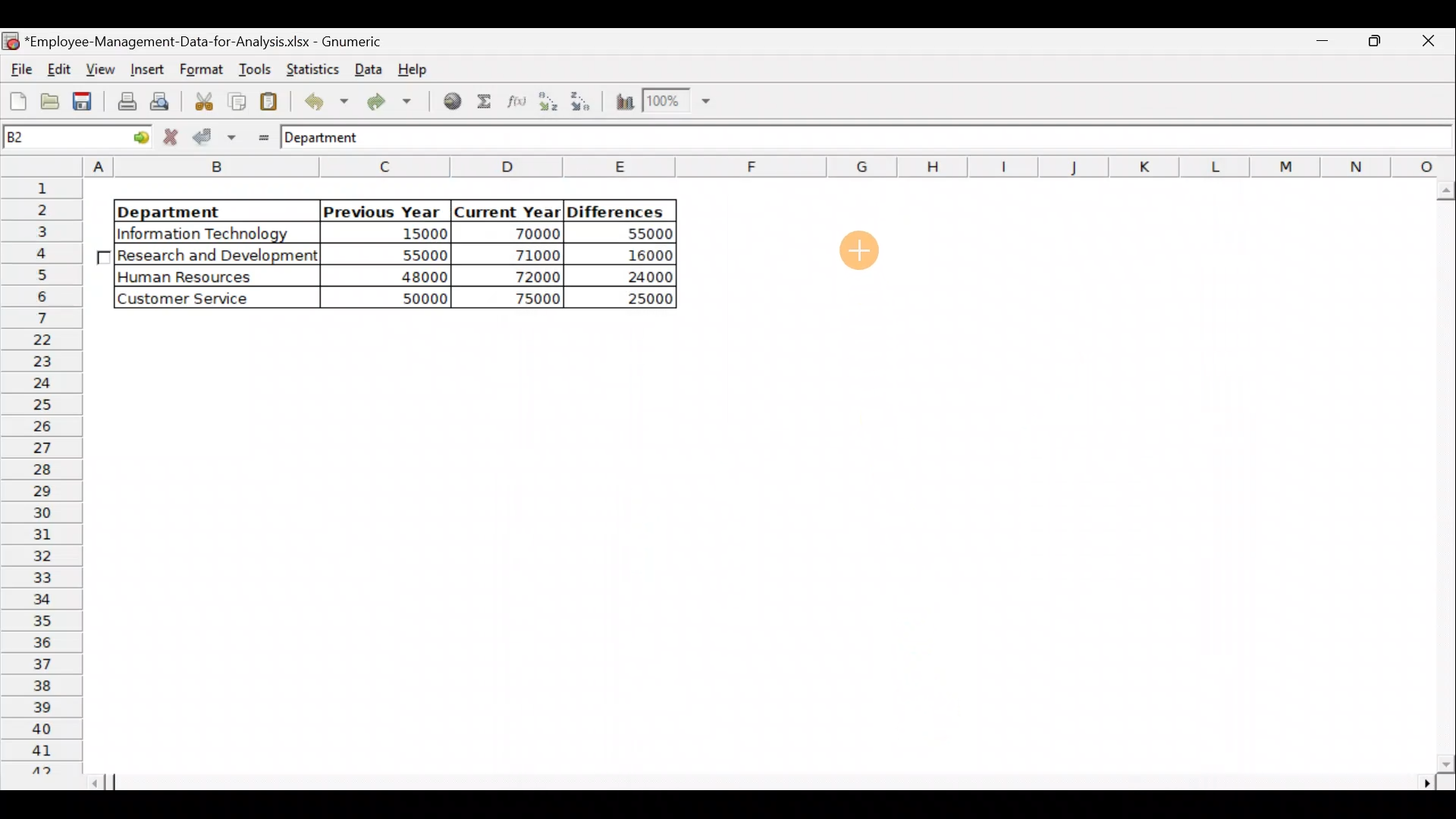 Image resolution: width=1456 pixels, height=819 pixels. I want to click on Columns, so click(770, 166).